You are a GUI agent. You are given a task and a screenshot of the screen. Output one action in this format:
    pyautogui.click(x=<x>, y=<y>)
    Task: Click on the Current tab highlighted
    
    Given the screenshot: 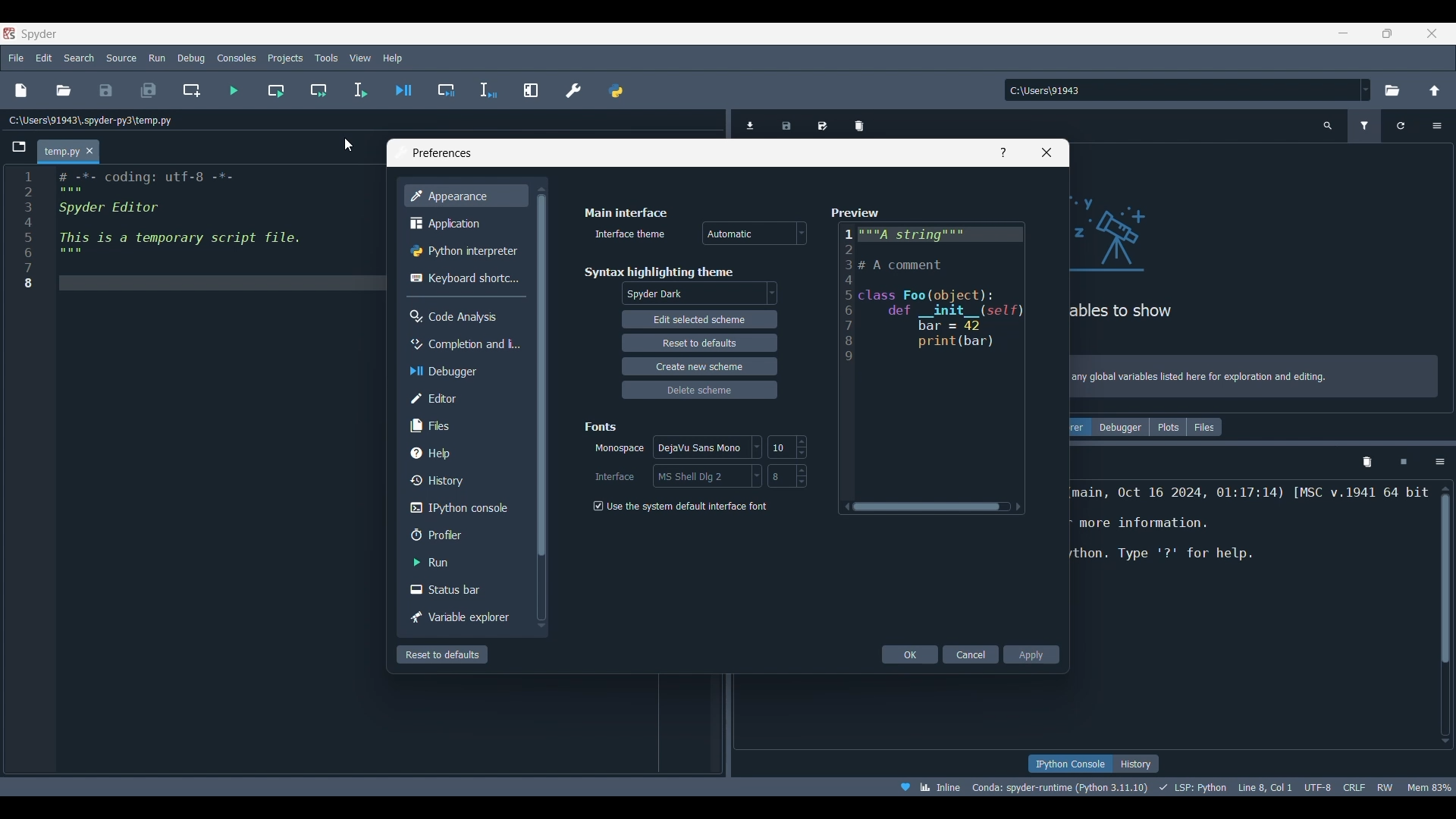 What is the action you would take?
    pyautogui.click(x=58, y=152)
    